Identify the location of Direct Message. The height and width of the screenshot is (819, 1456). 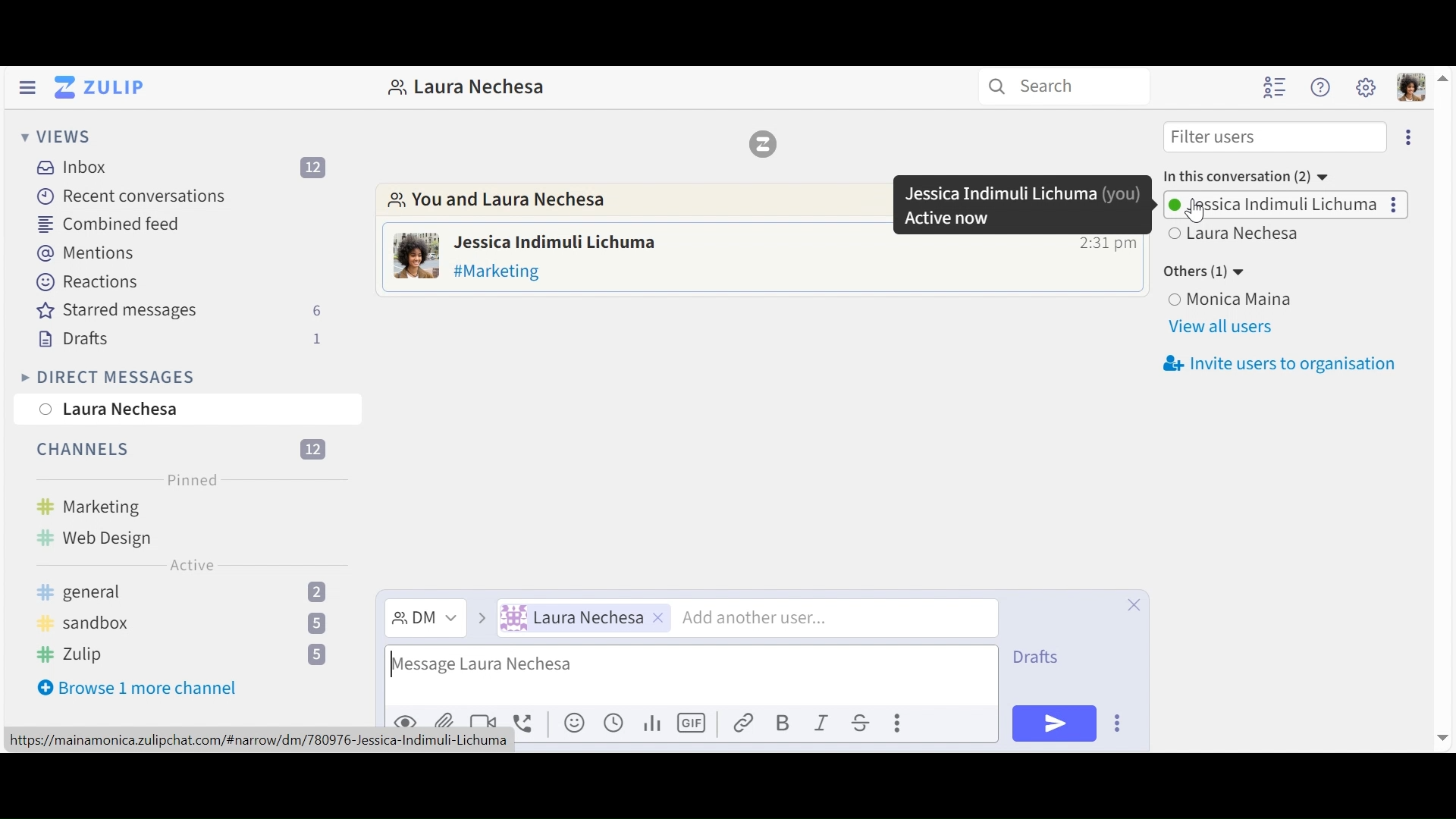
(425, 619).